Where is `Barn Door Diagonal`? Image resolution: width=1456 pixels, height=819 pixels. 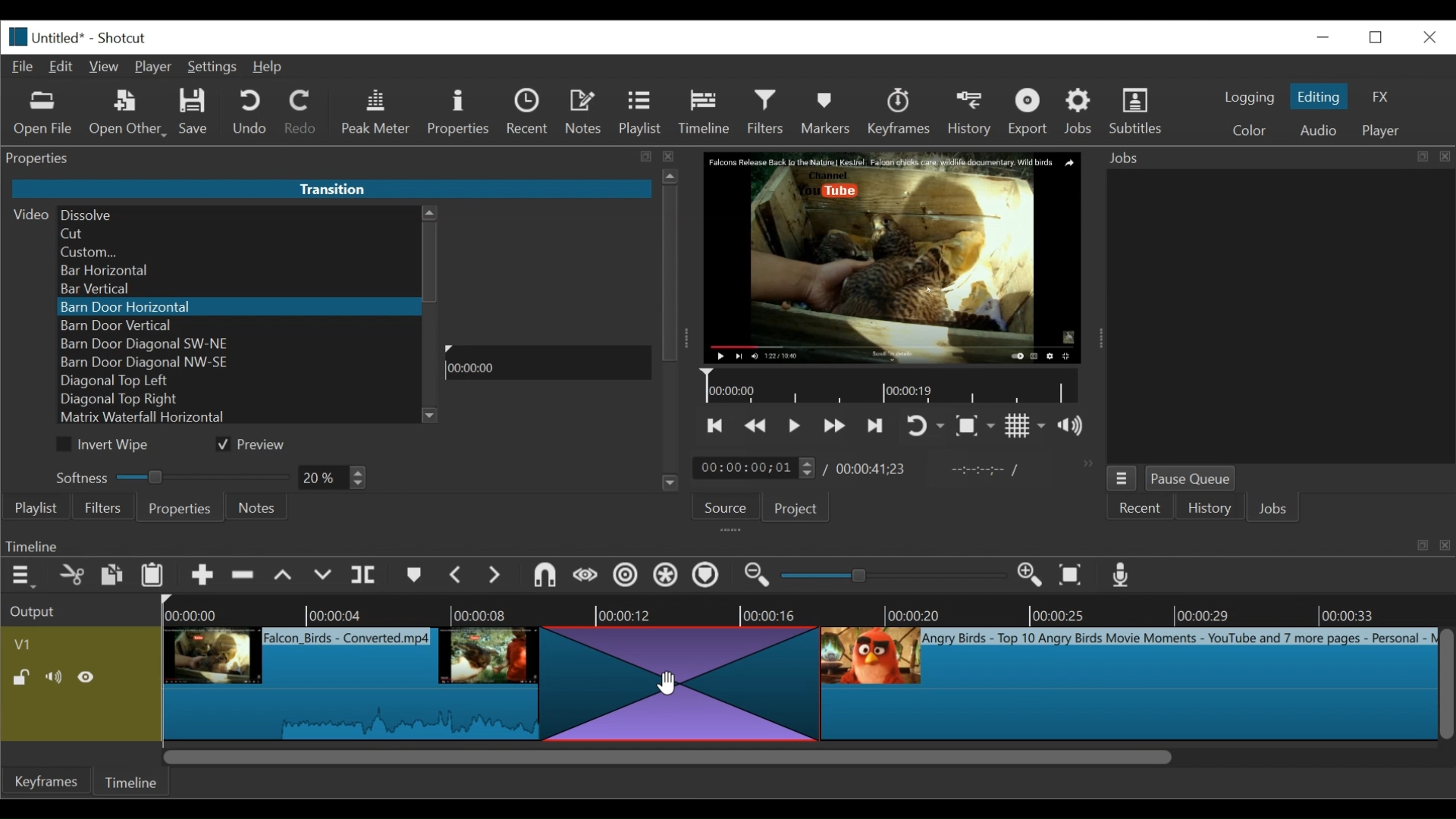 Barn Door Diagonal is located at coordinates (238, 344).